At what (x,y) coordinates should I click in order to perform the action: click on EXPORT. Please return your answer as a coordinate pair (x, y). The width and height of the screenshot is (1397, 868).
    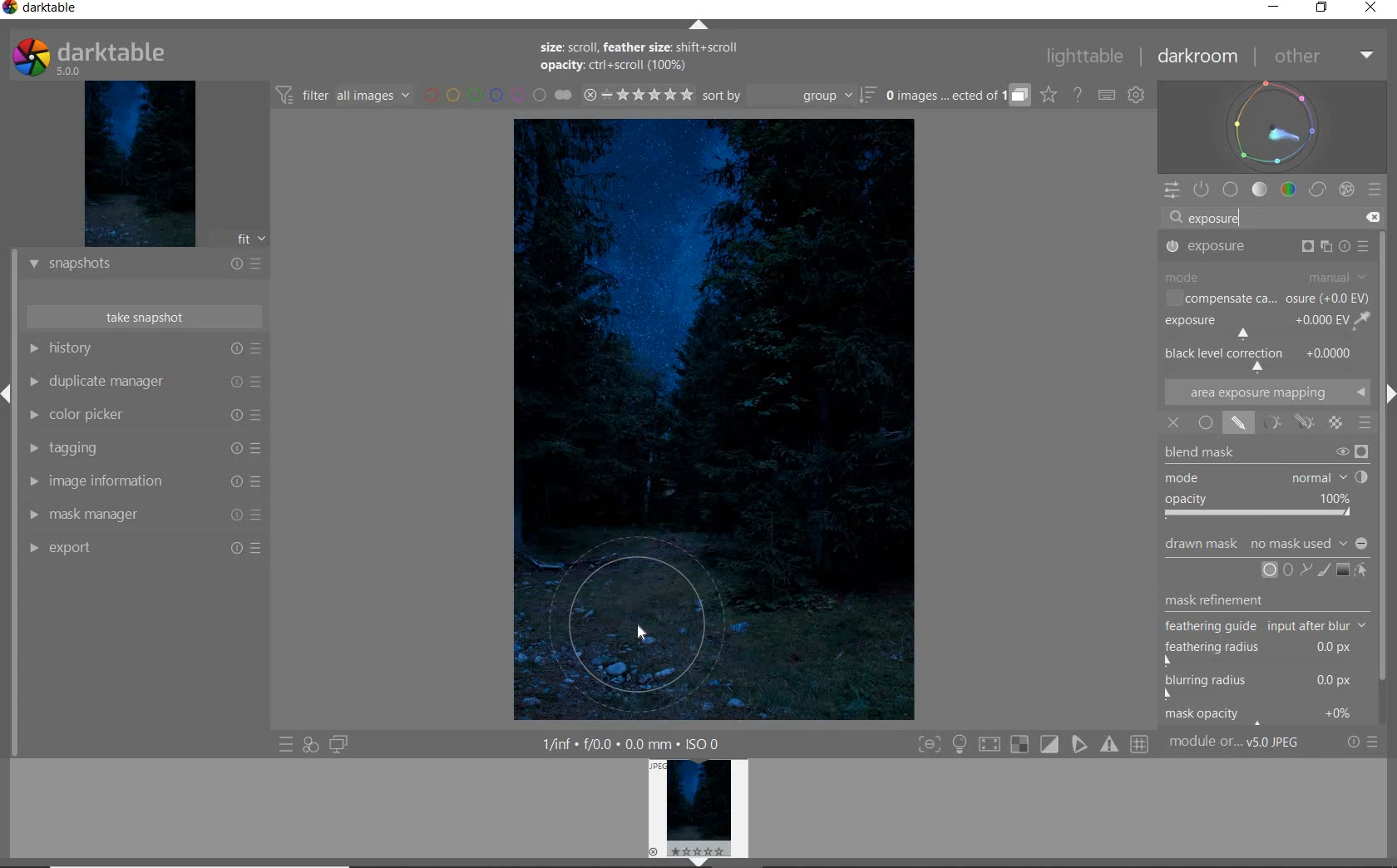
    Looking at the image, I should click on (144, 550).